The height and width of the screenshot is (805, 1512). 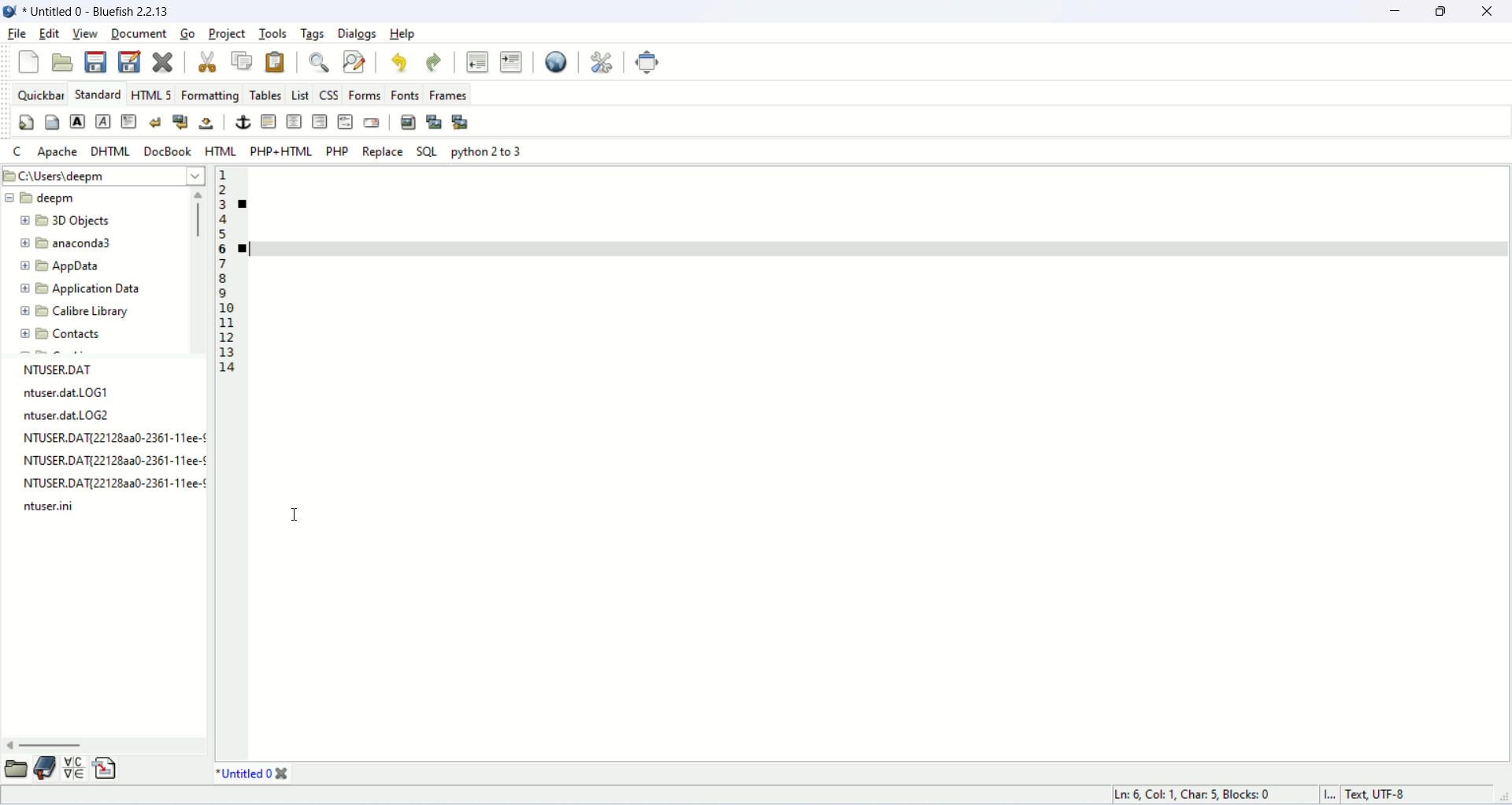 I want to click on file name, so click(x=111, y=443).